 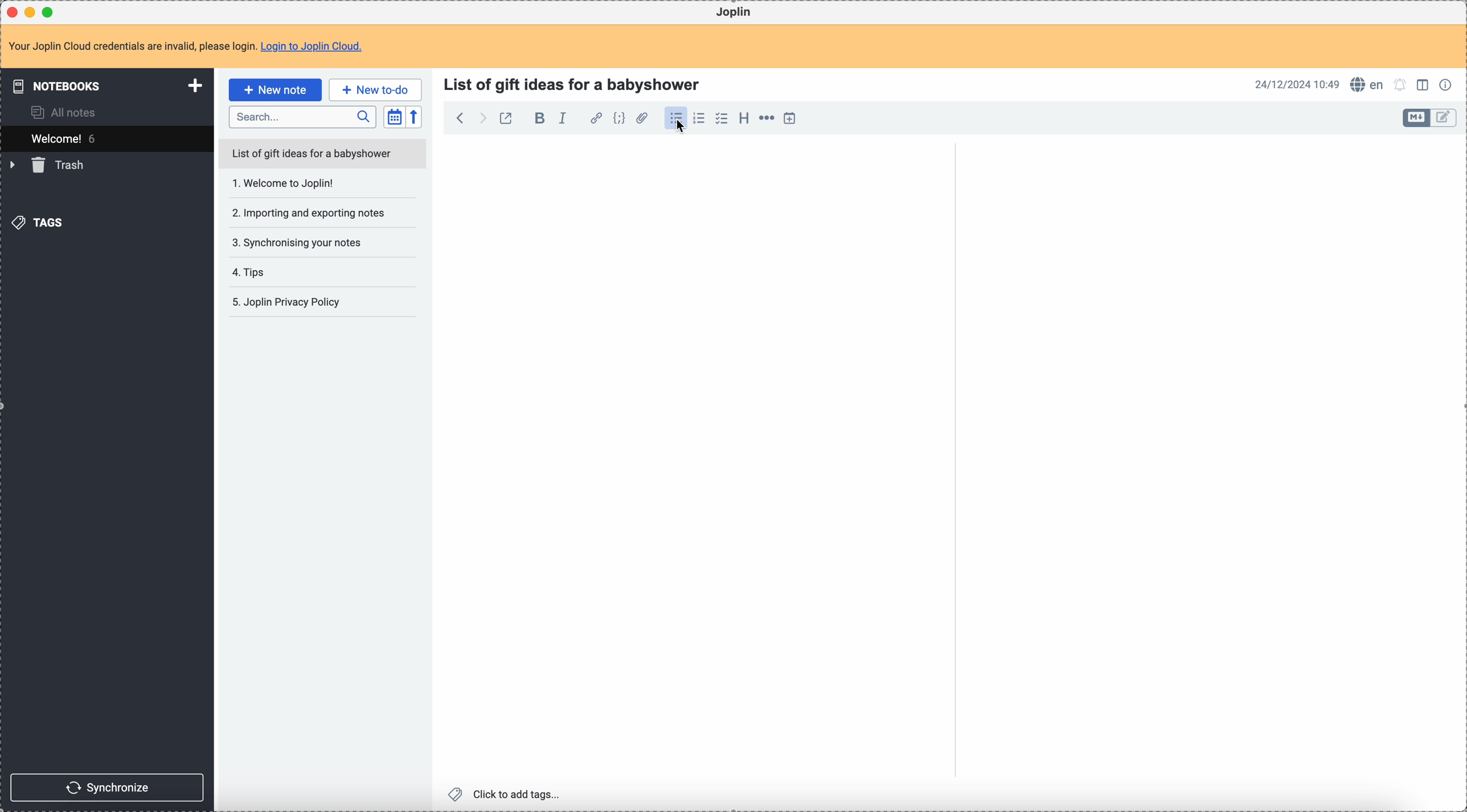 I want to click on close Joplin, so click(x=11, y=12).